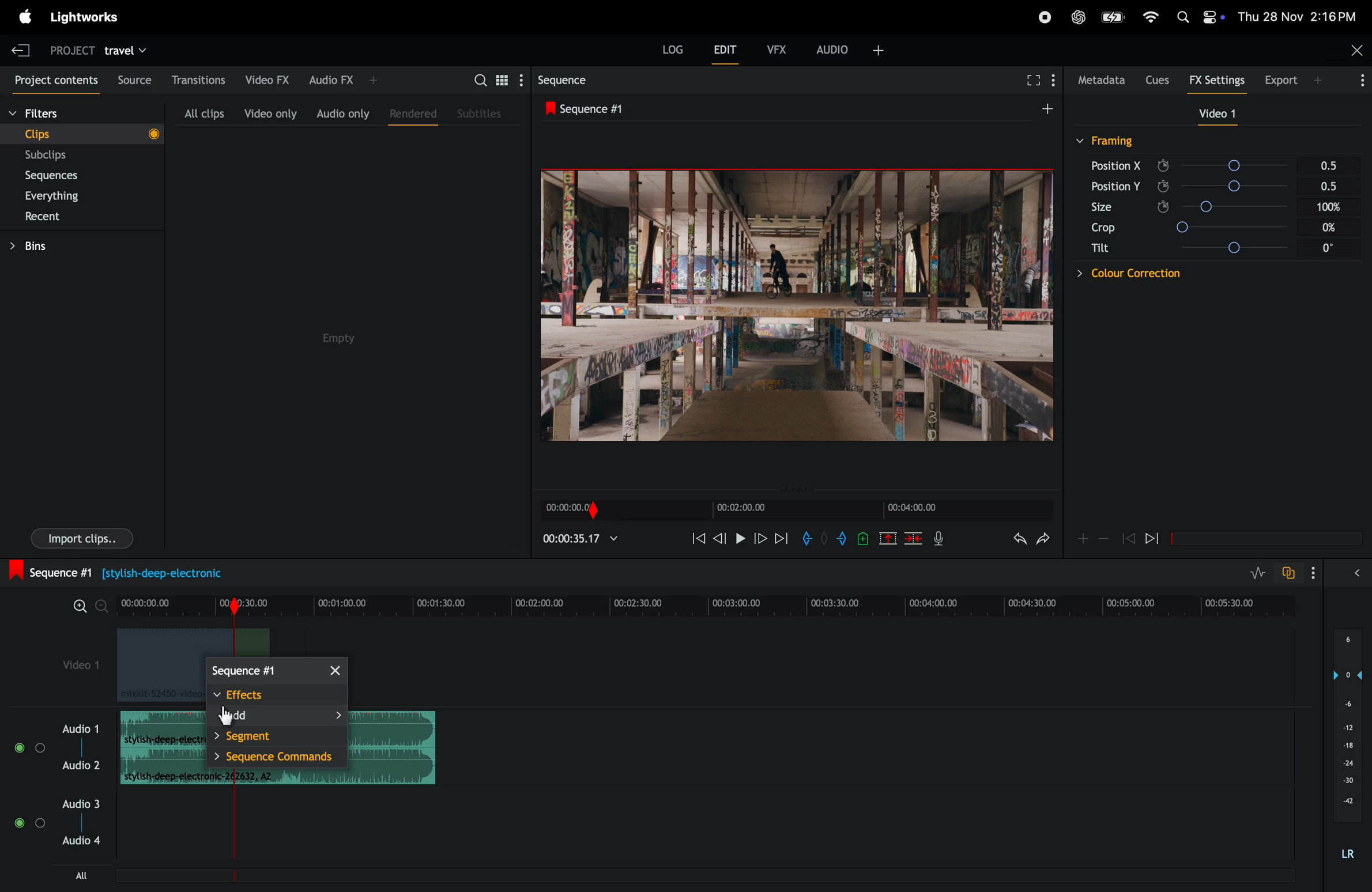  I want to click on battery, so click(1113, 17).